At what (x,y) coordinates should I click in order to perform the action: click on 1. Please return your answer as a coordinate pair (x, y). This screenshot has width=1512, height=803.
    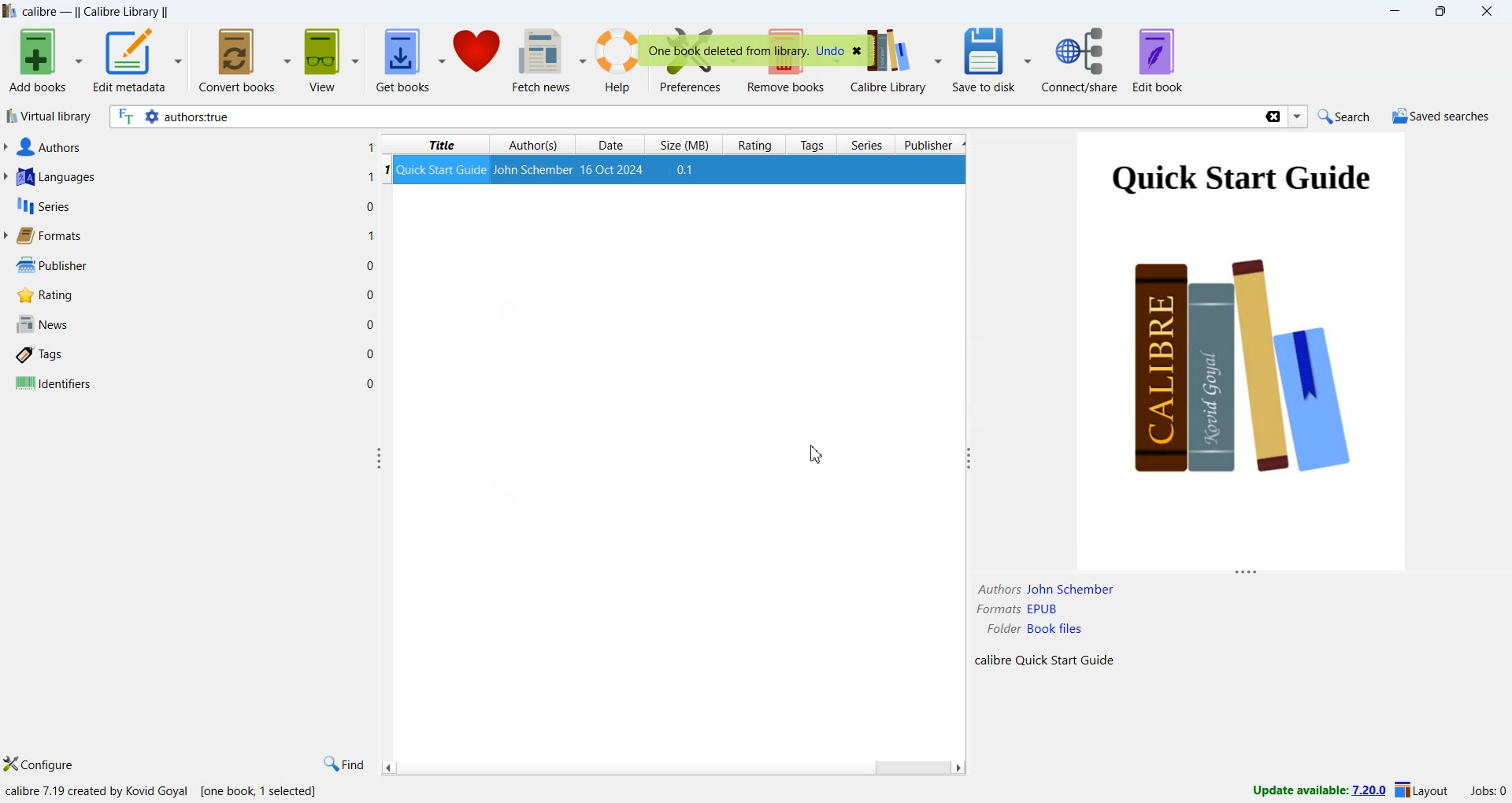
    Looking at the image, I should click on (372, 236).